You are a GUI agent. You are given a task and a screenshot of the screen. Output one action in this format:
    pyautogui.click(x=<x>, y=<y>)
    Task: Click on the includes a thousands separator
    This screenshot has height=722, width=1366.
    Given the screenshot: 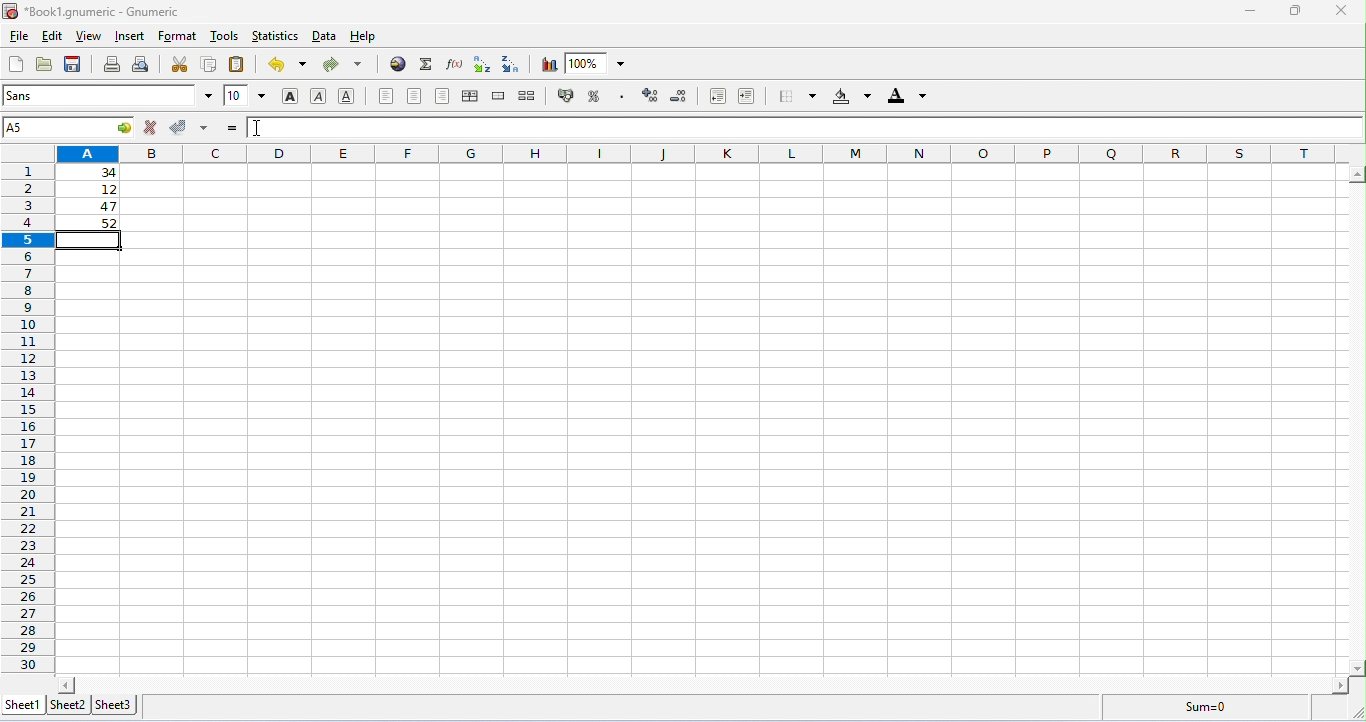 What is the action you would take?
    pyautogui.click(x=621, y=95)
    